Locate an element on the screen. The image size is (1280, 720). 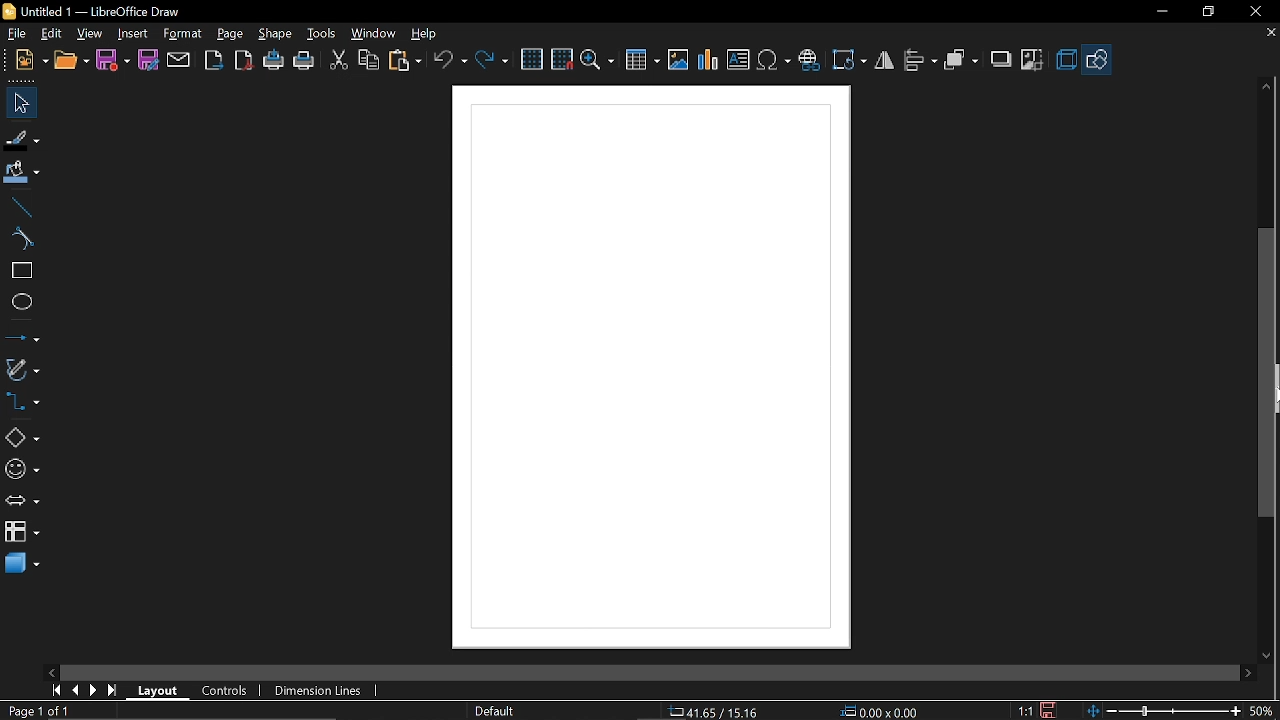
Basic shapes is located at coordinates (22, 439).